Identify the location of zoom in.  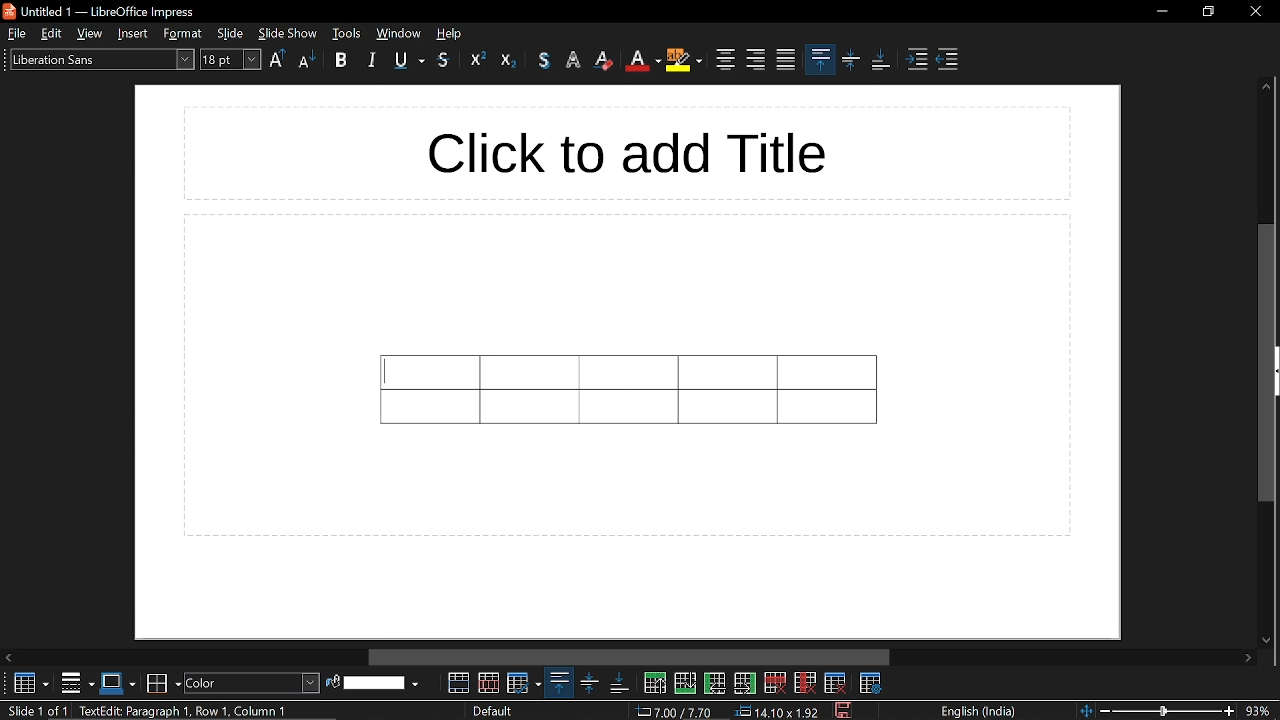
(1230, 711).